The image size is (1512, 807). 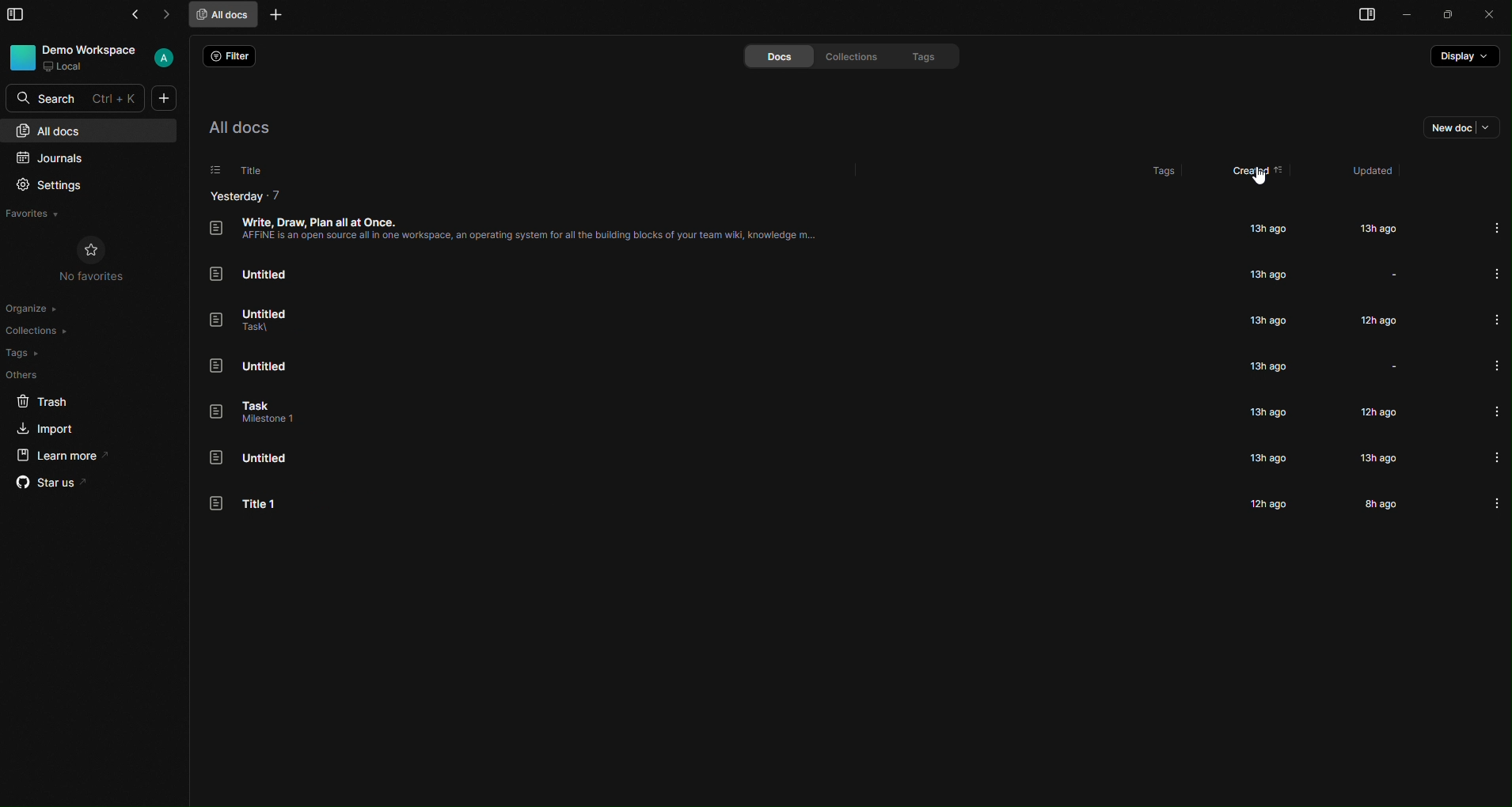 I want to click on learn more , so click(x=73, y=456).